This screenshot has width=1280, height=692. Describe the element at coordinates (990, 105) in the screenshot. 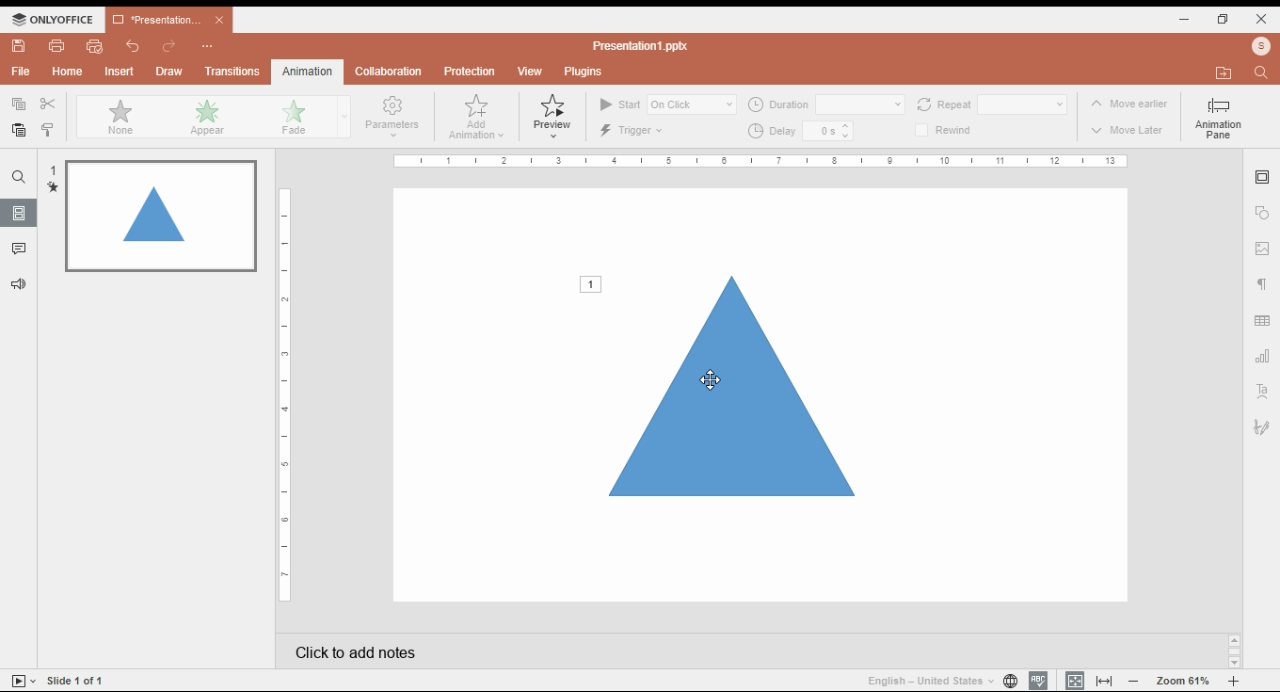

I see `repeat` at that location.